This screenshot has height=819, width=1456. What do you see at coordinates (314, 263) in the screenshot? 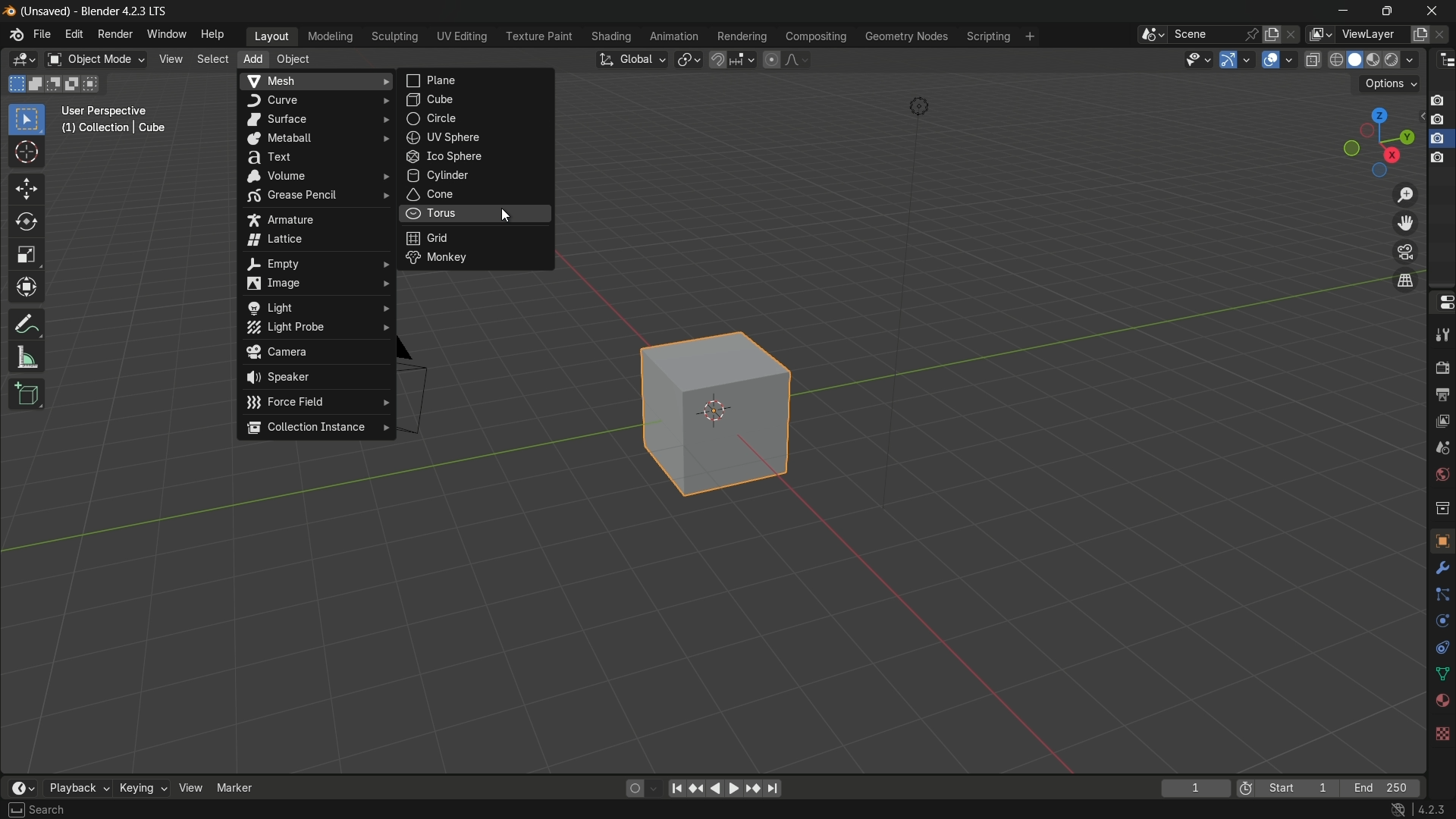
I see `empty` at bounding box center [314, 263].